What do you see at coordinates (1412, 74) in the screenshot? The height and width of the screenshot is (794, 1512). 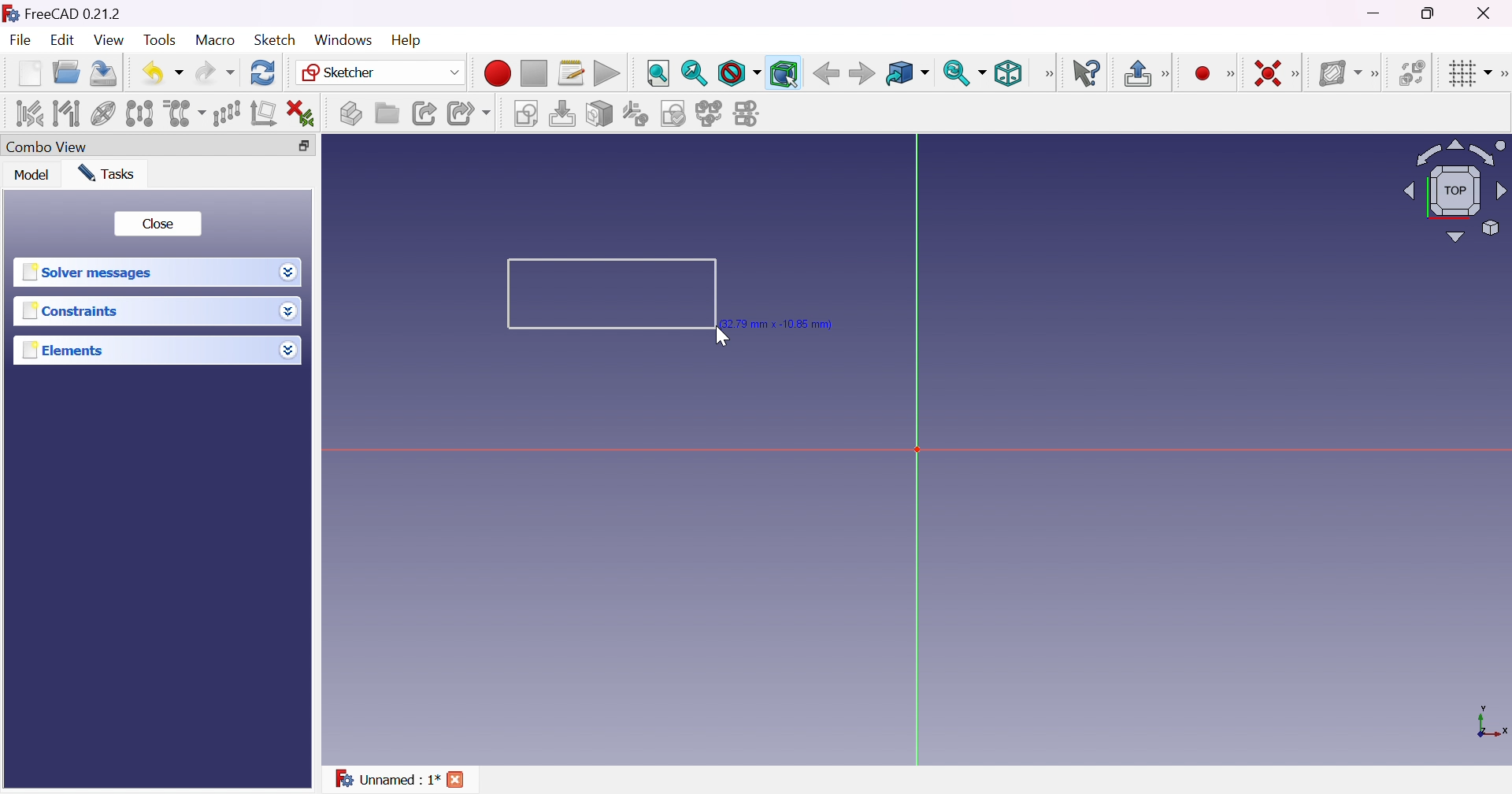 I see `Switch virtual space` at bounding box center [1412, 74].